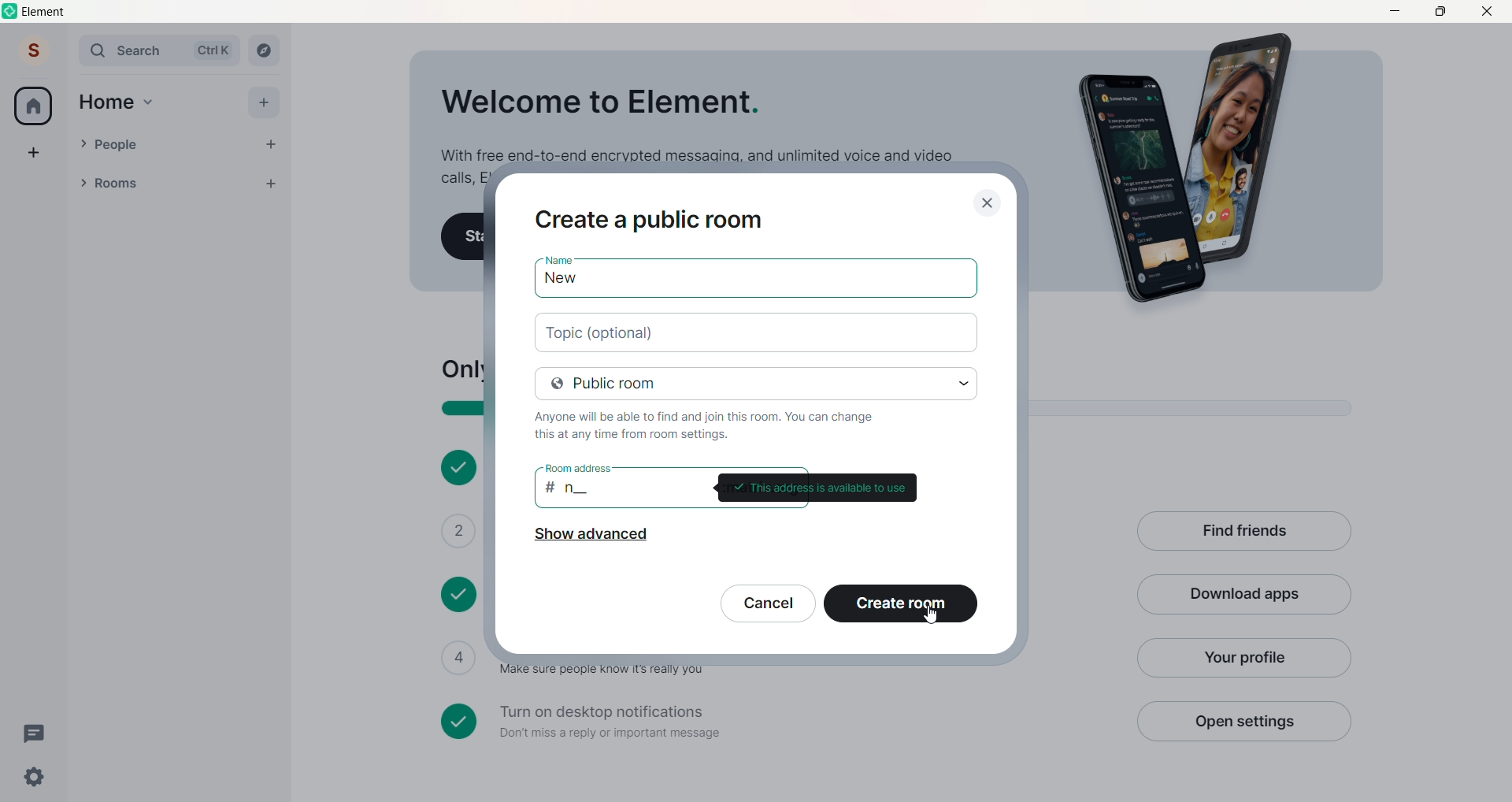  What do you see at coordinates (758, 382) in the screenshot?
I see `room privacy set to: "public room"` at bounding box center [758, 382].